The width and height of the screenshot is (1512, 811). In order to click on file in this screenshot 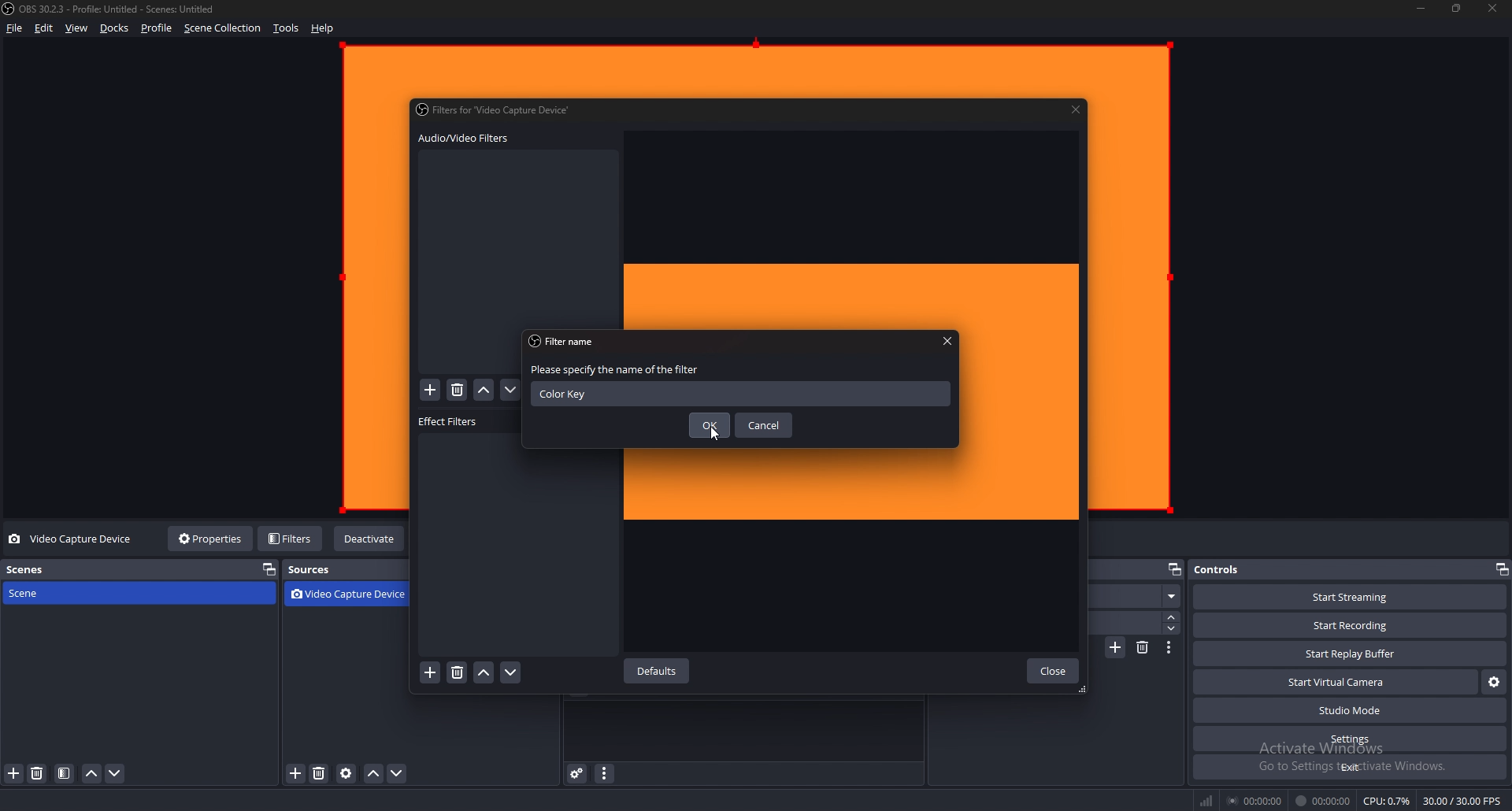, I will do `click(13, 28)`.